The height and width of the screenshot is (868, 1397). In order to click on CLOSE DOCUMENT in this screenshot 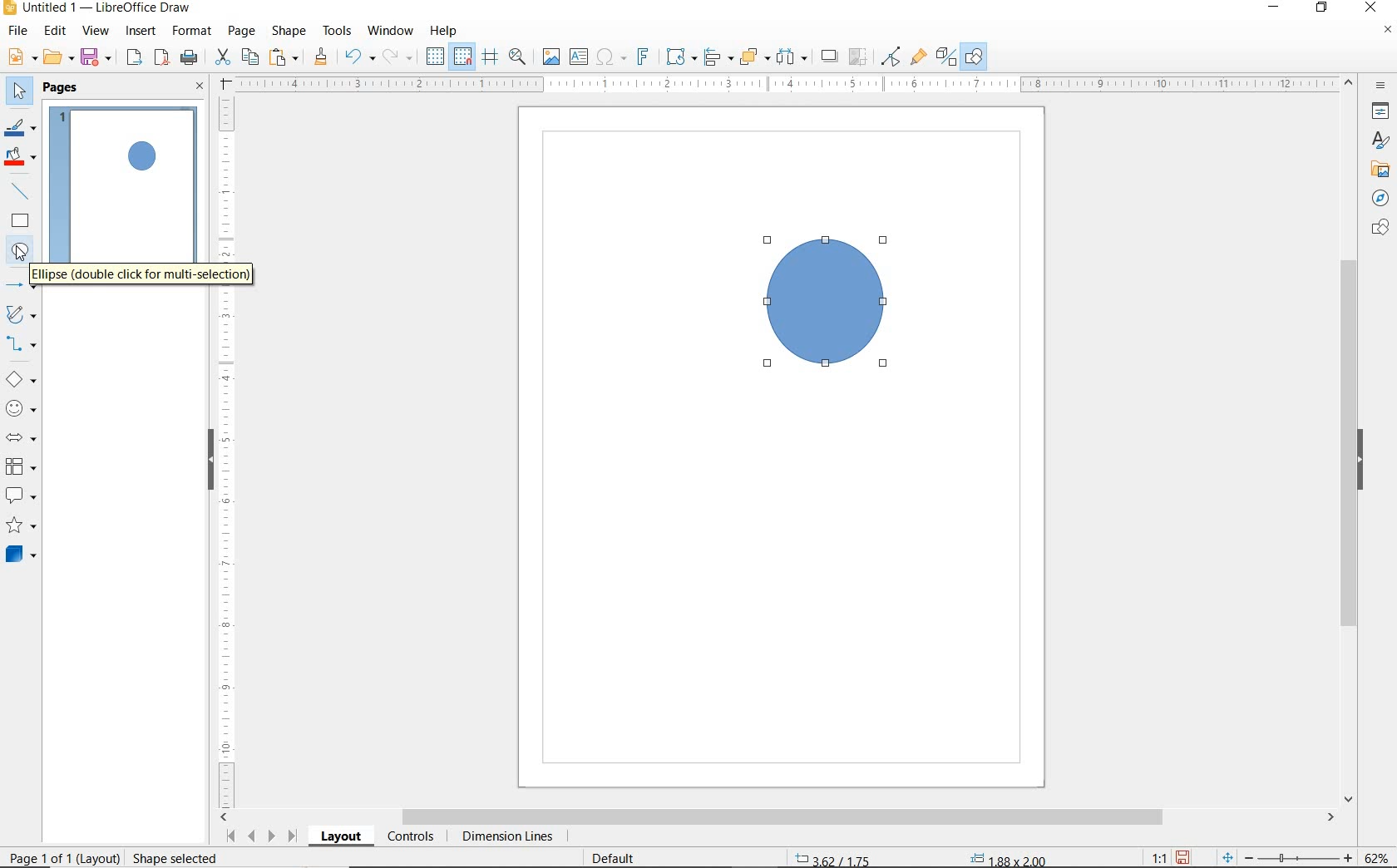, I will do `click(1387, 32)`.